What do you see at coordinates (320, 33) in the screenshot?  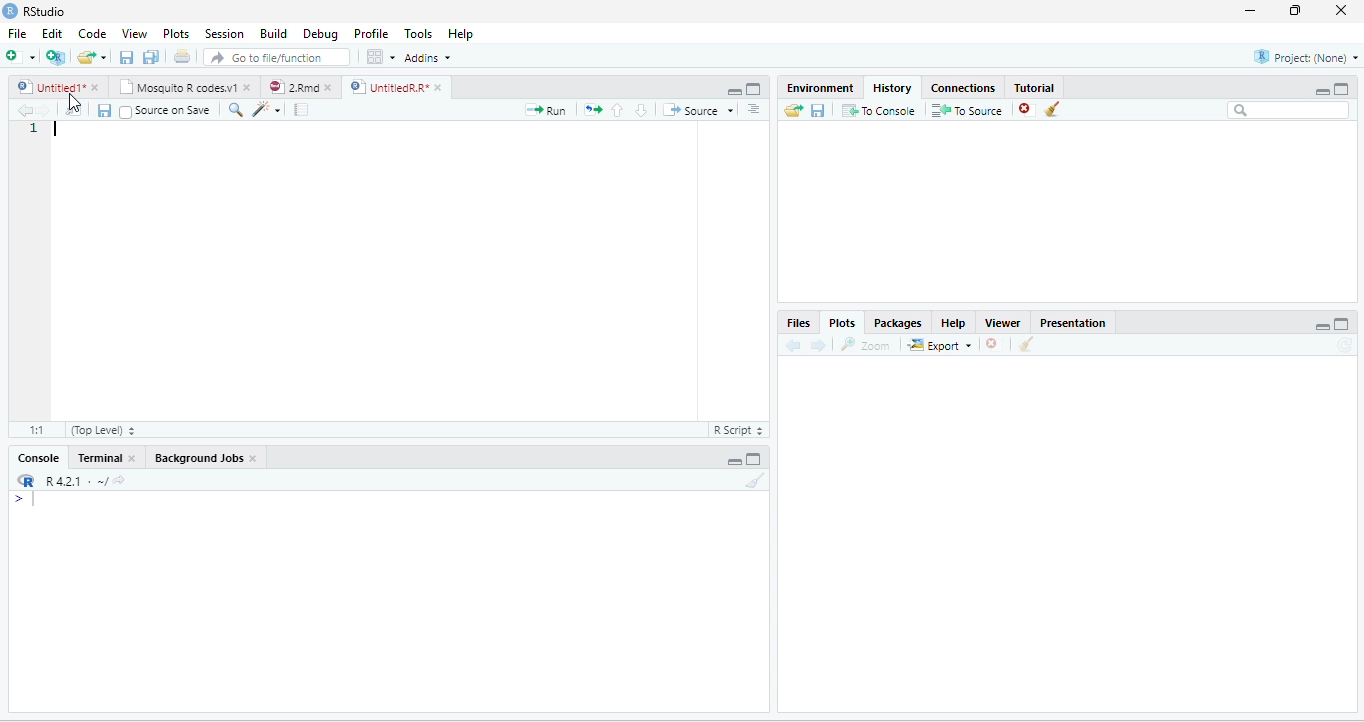 I see `Debug` at bounding box center [320, 33].